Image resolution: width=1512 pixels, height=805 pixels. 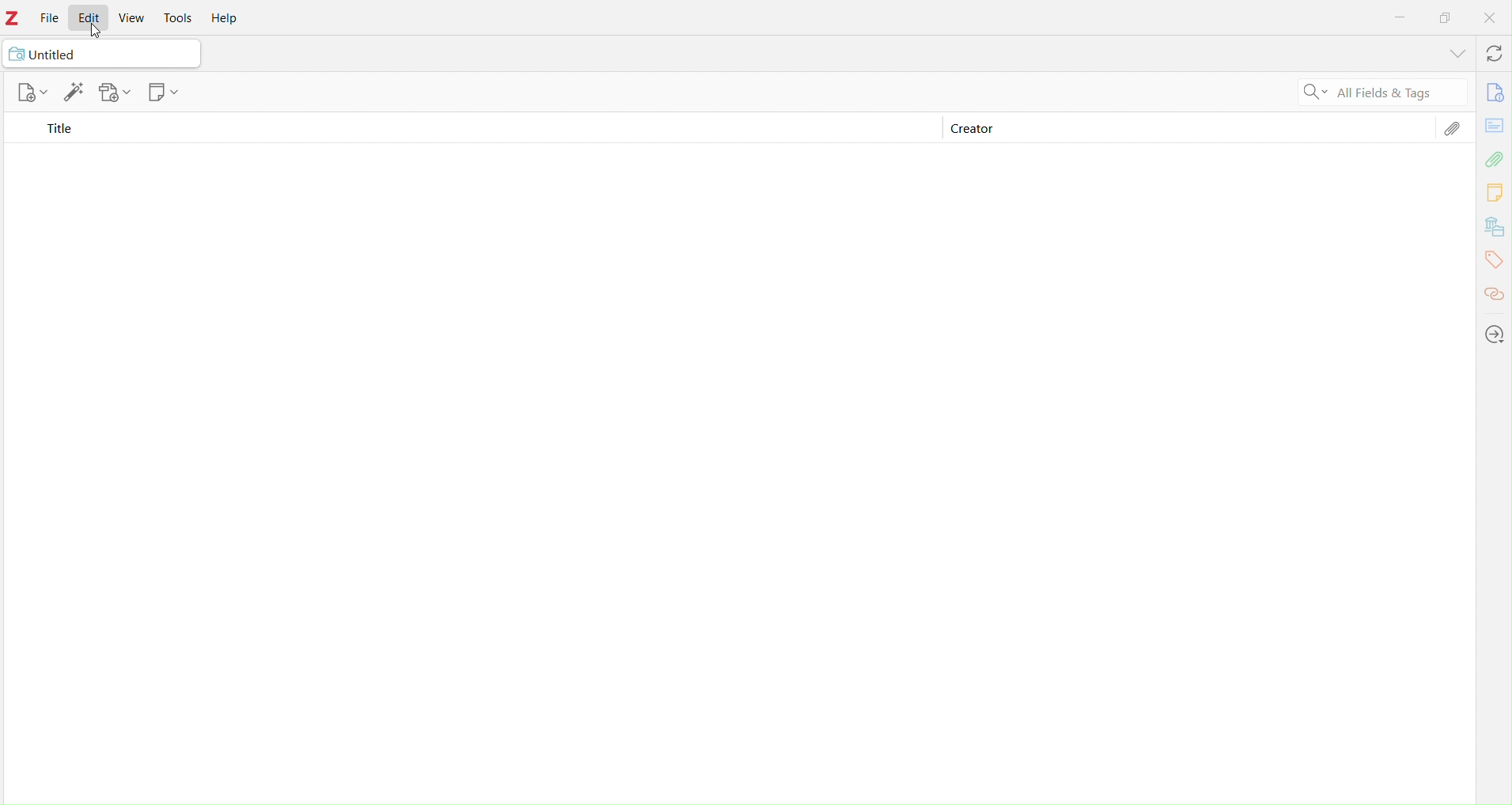 What do you see at coordinates (1310, 94) in the screenshot?
I see `Search` at bounding box center [1310, 94].